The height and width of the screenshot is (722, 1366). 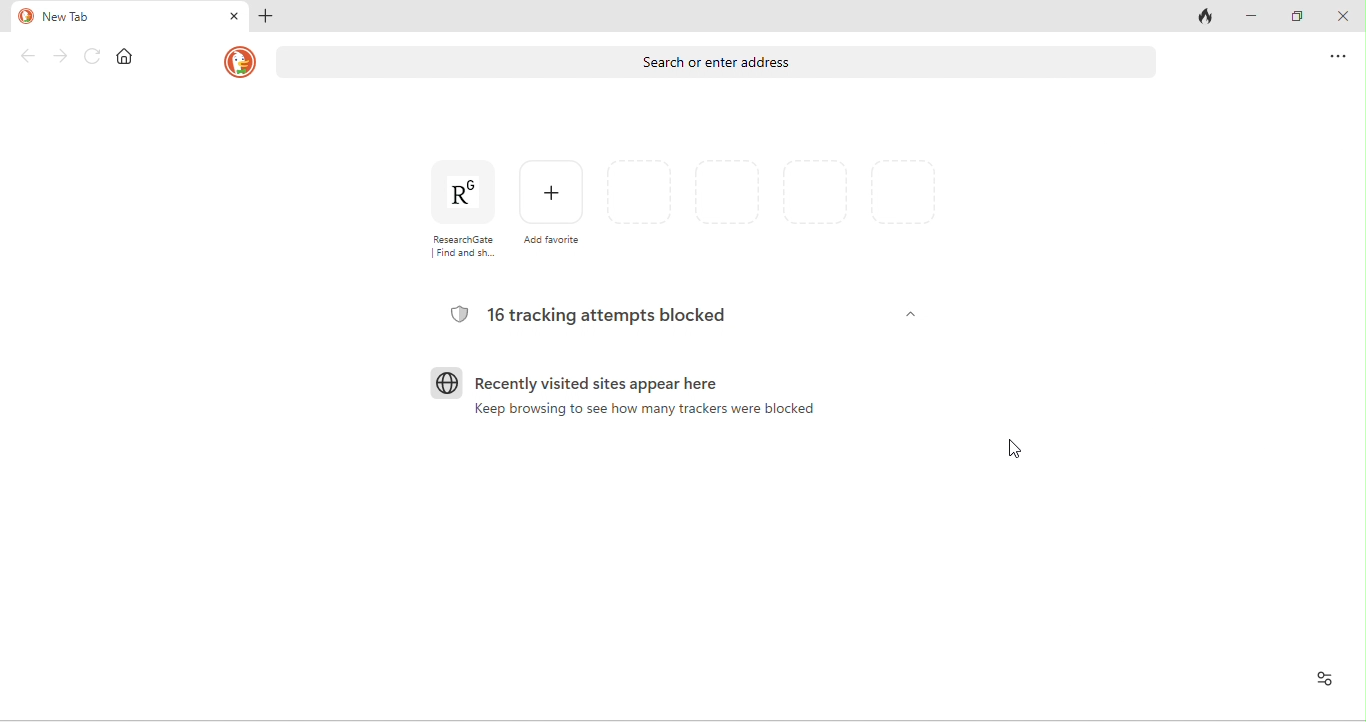 What do you see at coordinates (26, 56) in the screenshot?
I see `back` at bounding box center [26, 56].